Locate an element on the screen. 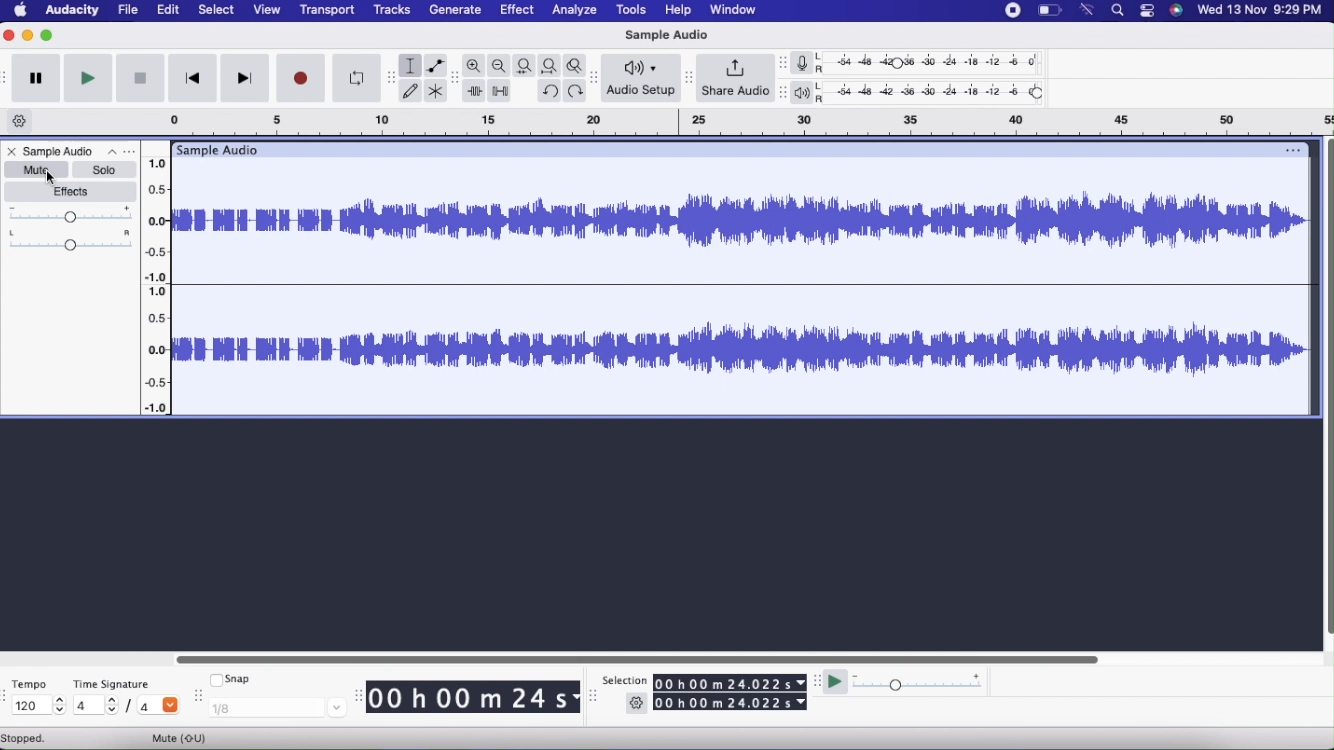 The width and height of the screenshot is (1334, 750). Selection is located at coordinates (625, 681).